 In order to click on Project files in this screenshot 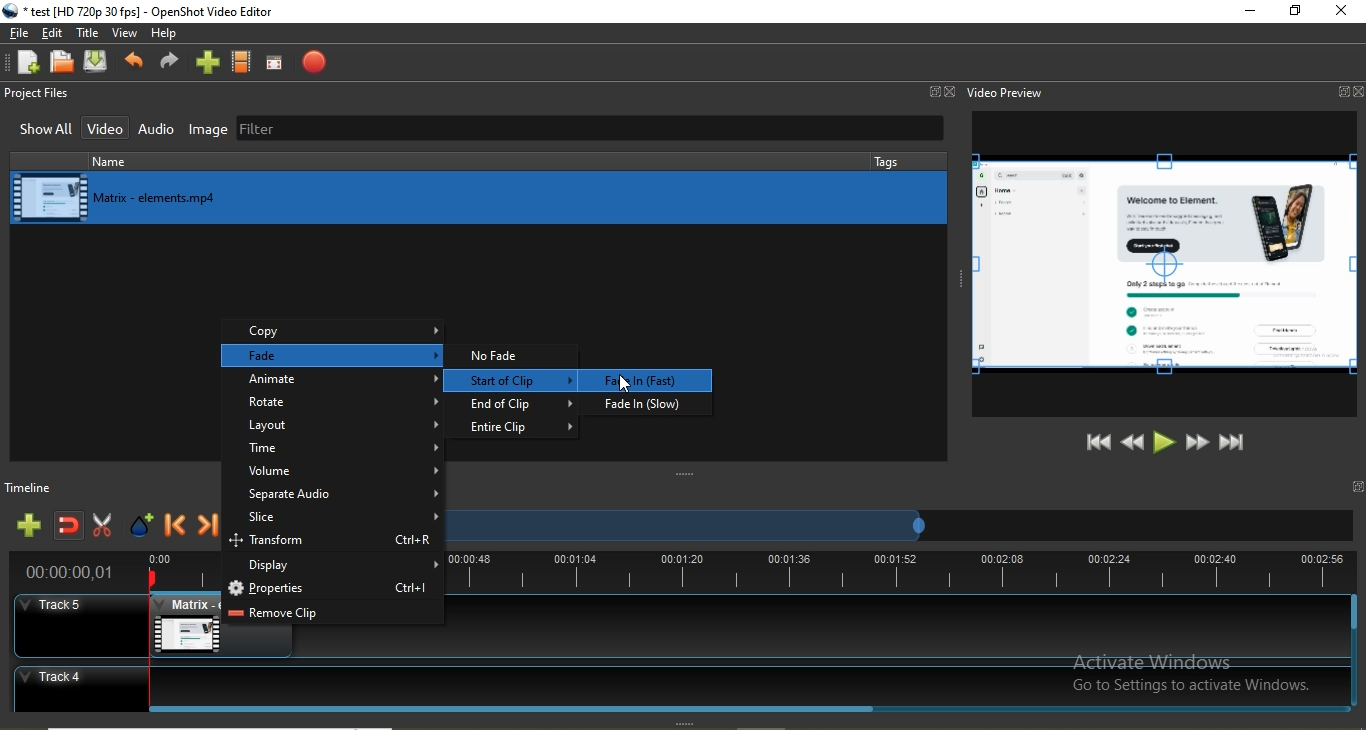, I will do `click(42, 94)`.